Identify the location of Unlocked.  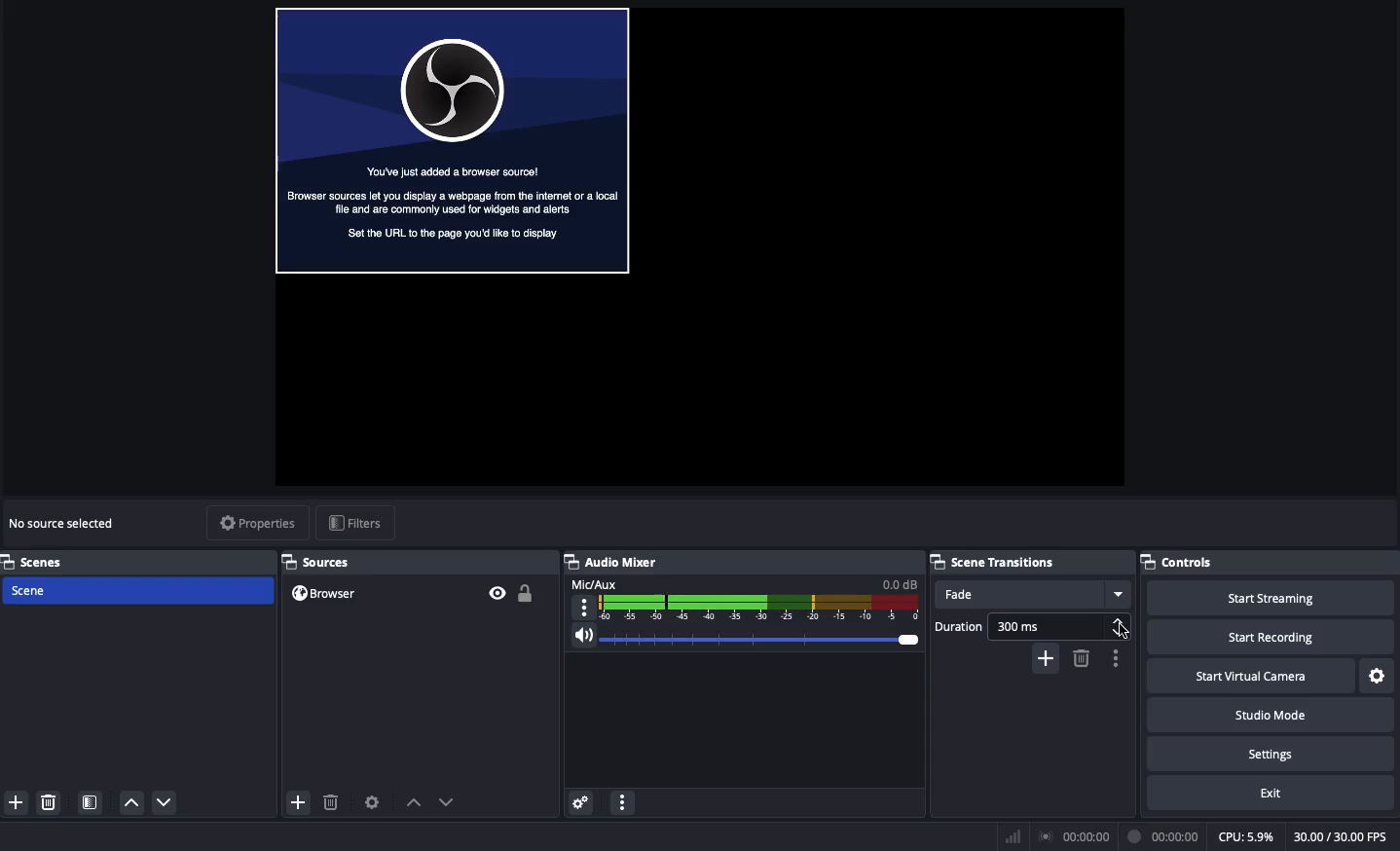
(527, 593).